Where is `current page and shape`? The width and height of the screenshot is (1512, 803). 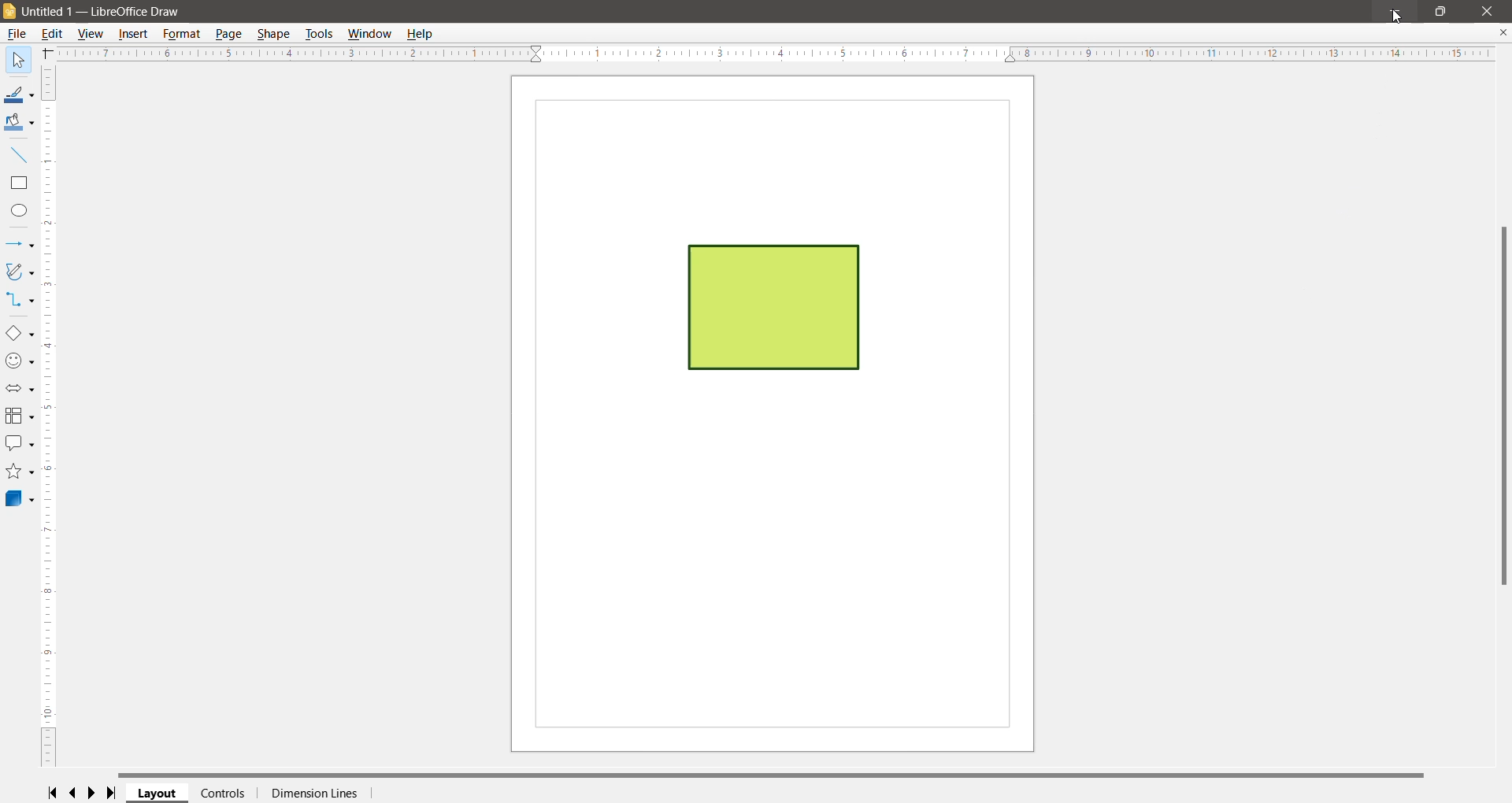
current page and shape is located at coordinates (781, 415).